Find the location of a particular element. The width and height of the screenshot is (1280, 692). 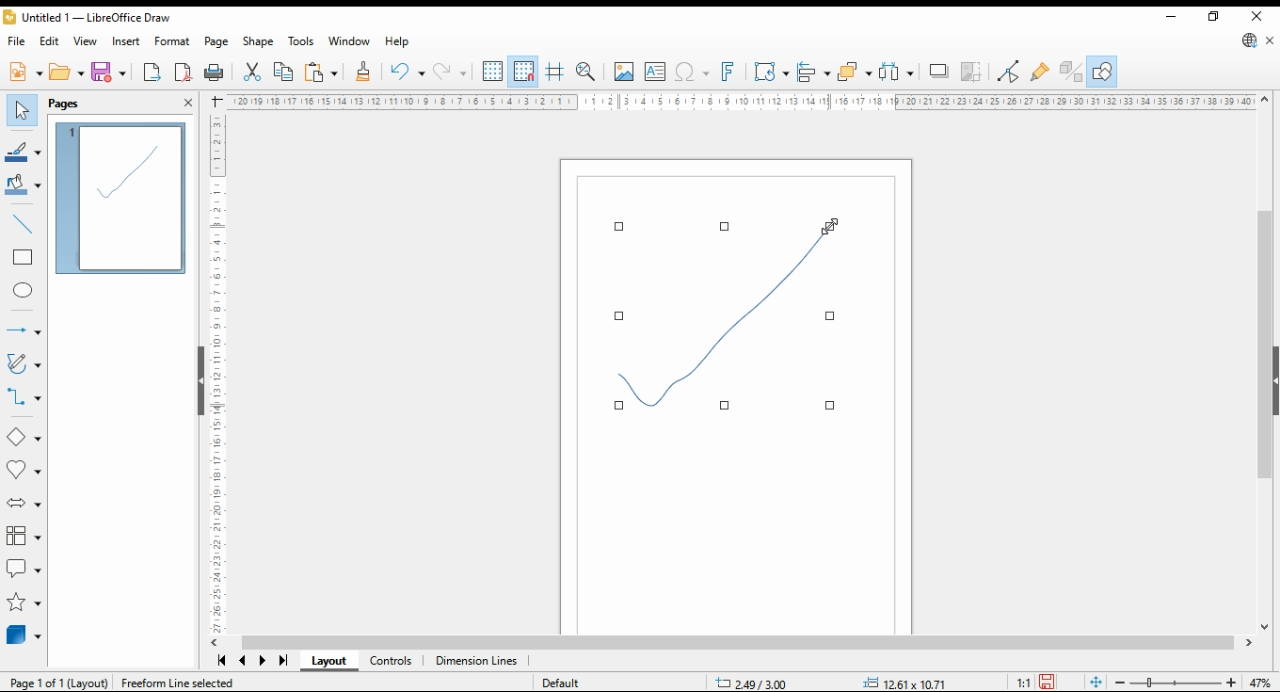

shadow is located at coordinates (937, 71).